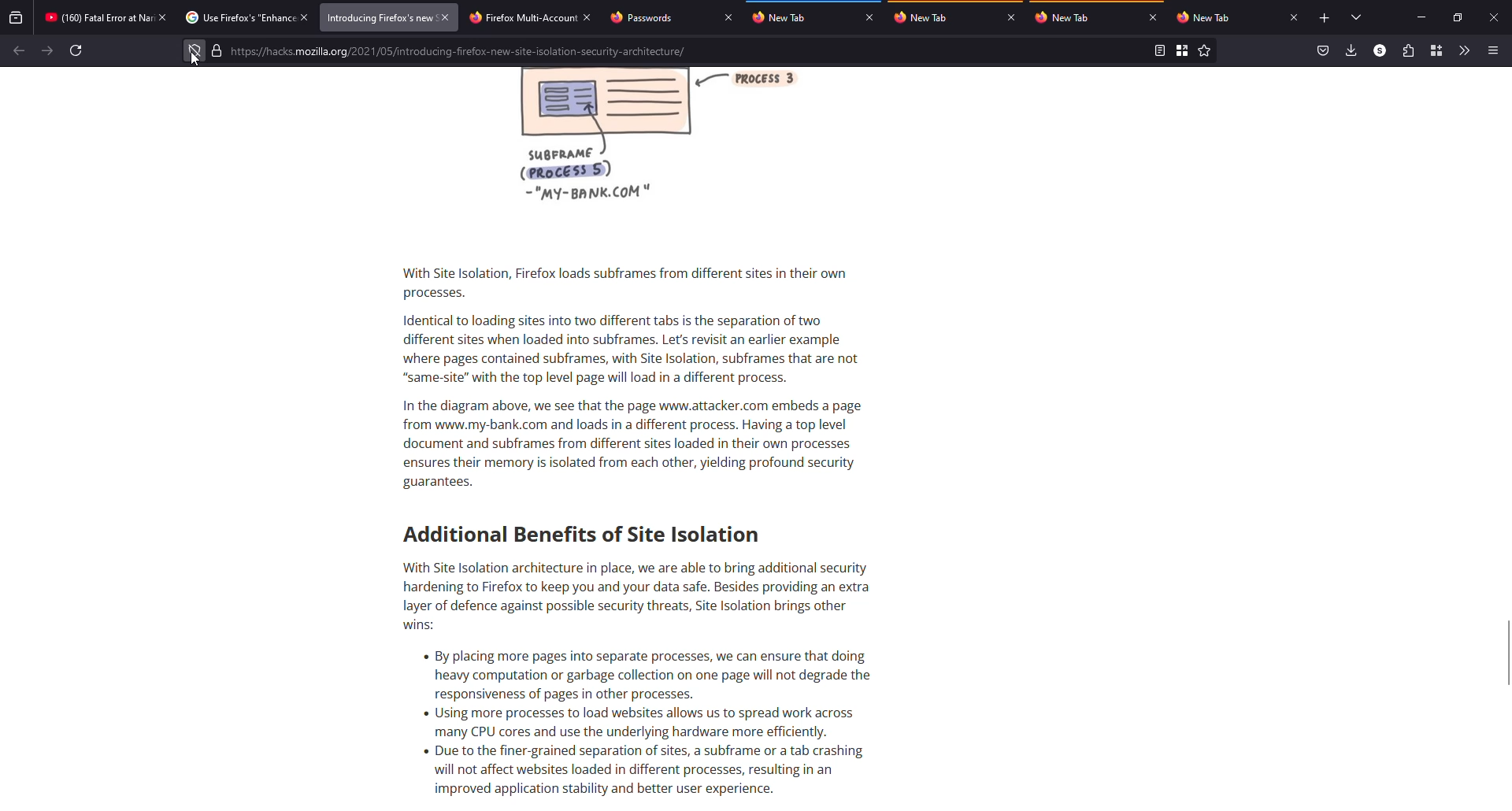 The image size is (1512, 811). I want to click on container, so click(1436, 50).